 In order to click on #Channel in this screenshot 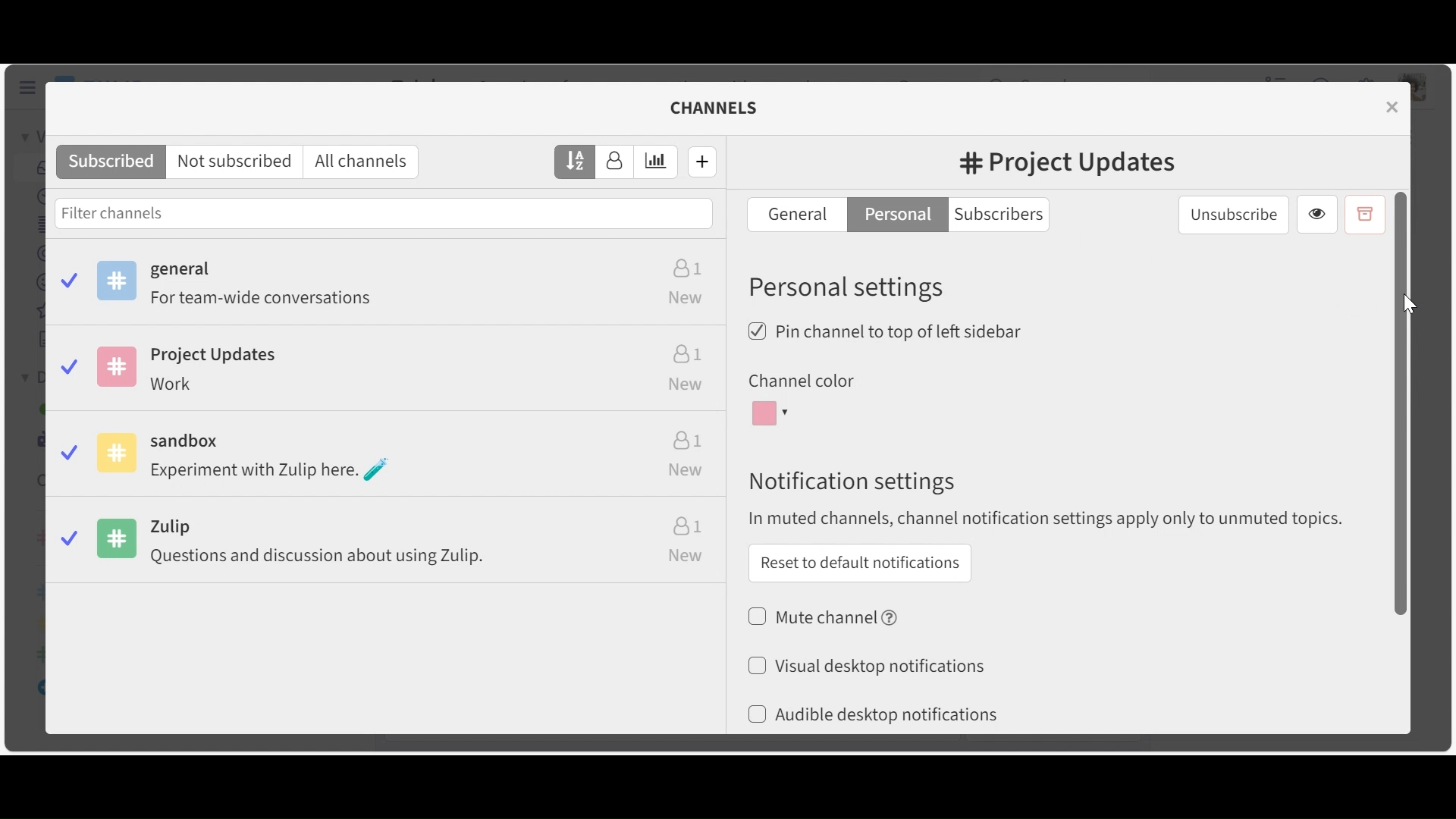, I will do `click(1067, 165)`.